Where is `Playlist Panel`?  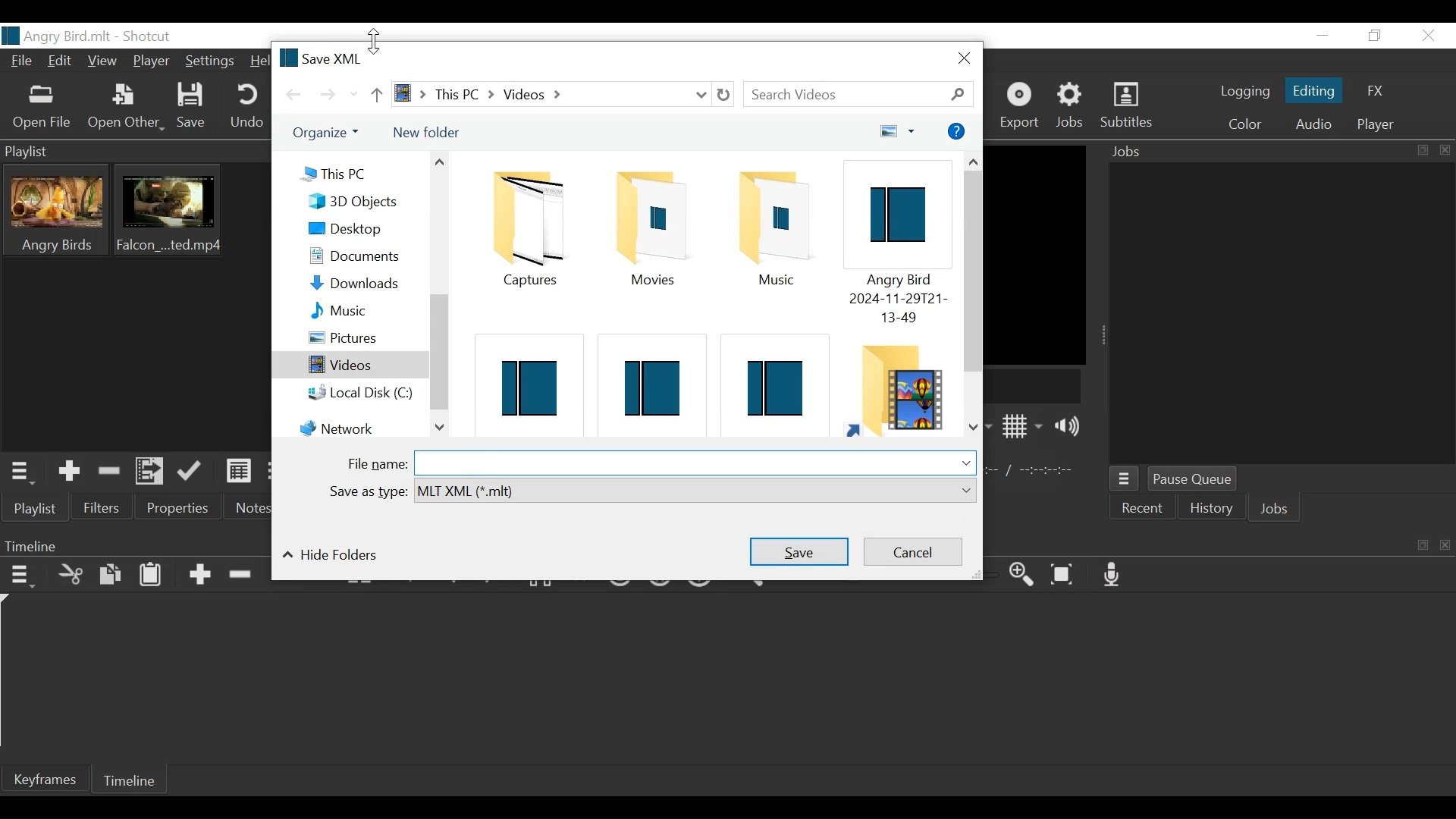 Playlist Panel is located at coordinates (132, 149).